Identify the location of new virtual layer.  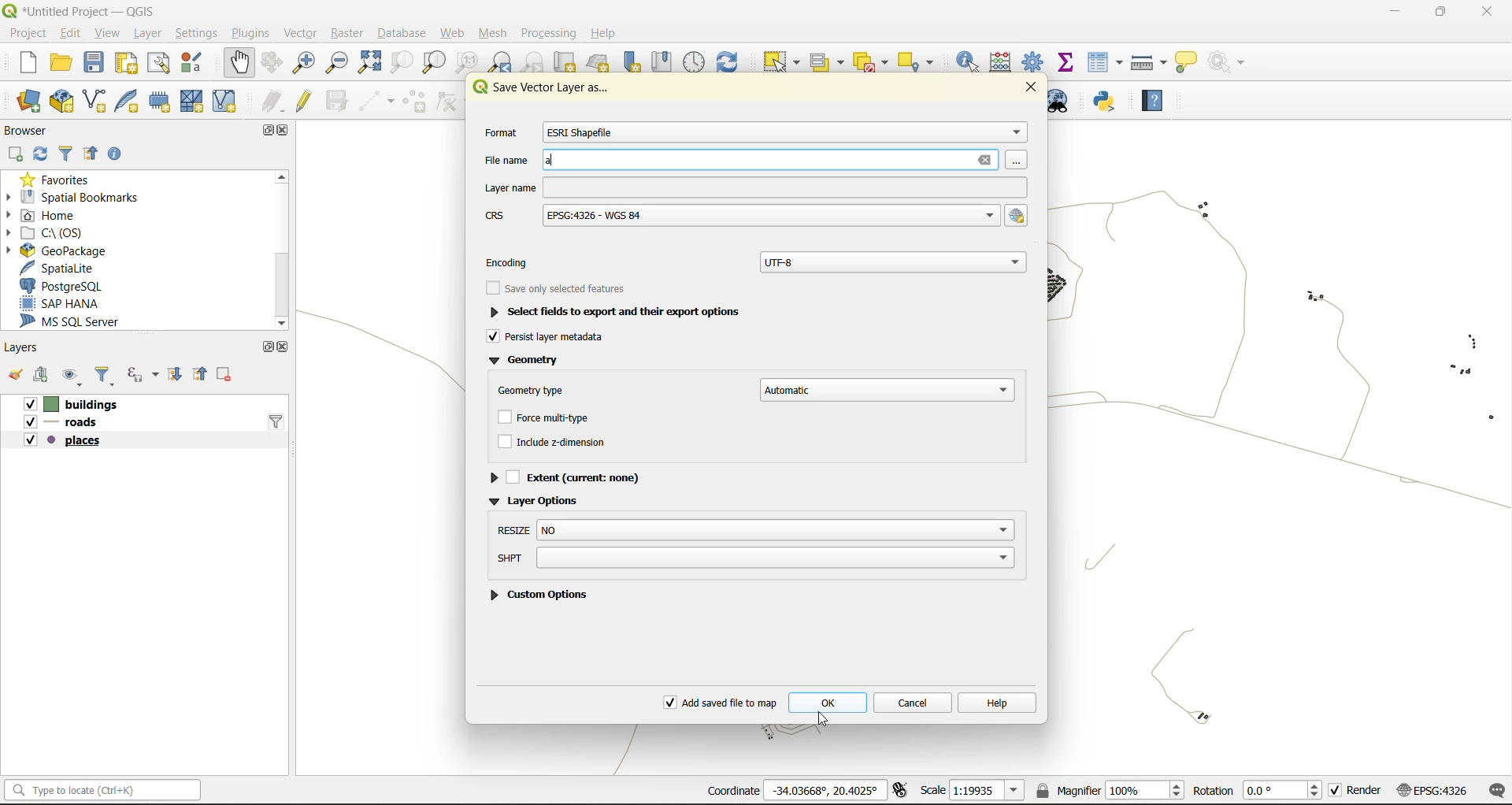
(228, 102).